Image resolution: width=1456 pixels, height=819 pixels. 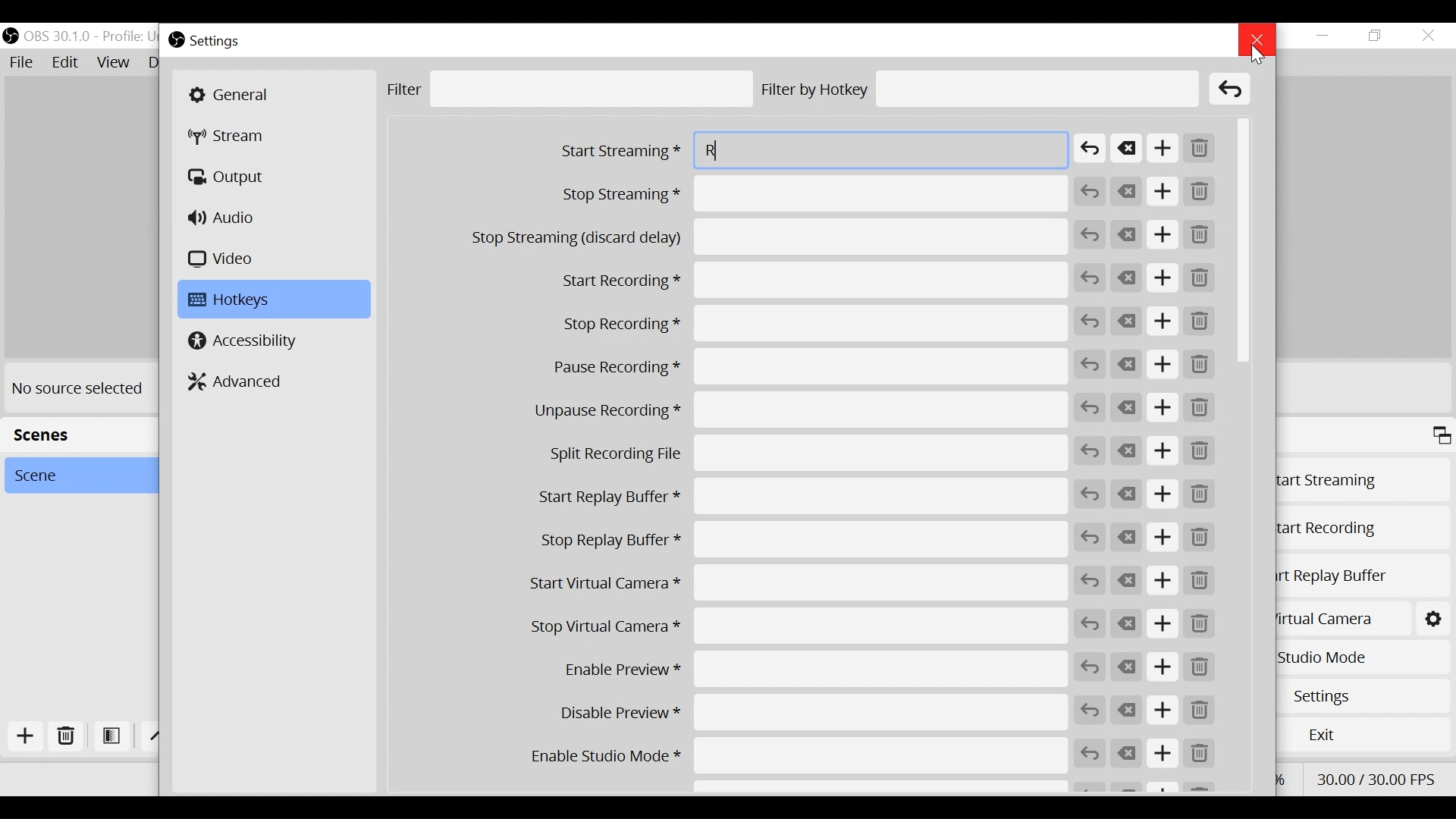 What do you see at coordinates (1202, 624) in the screenshot?
I see `Remove` at bounding box center [1202, 624].